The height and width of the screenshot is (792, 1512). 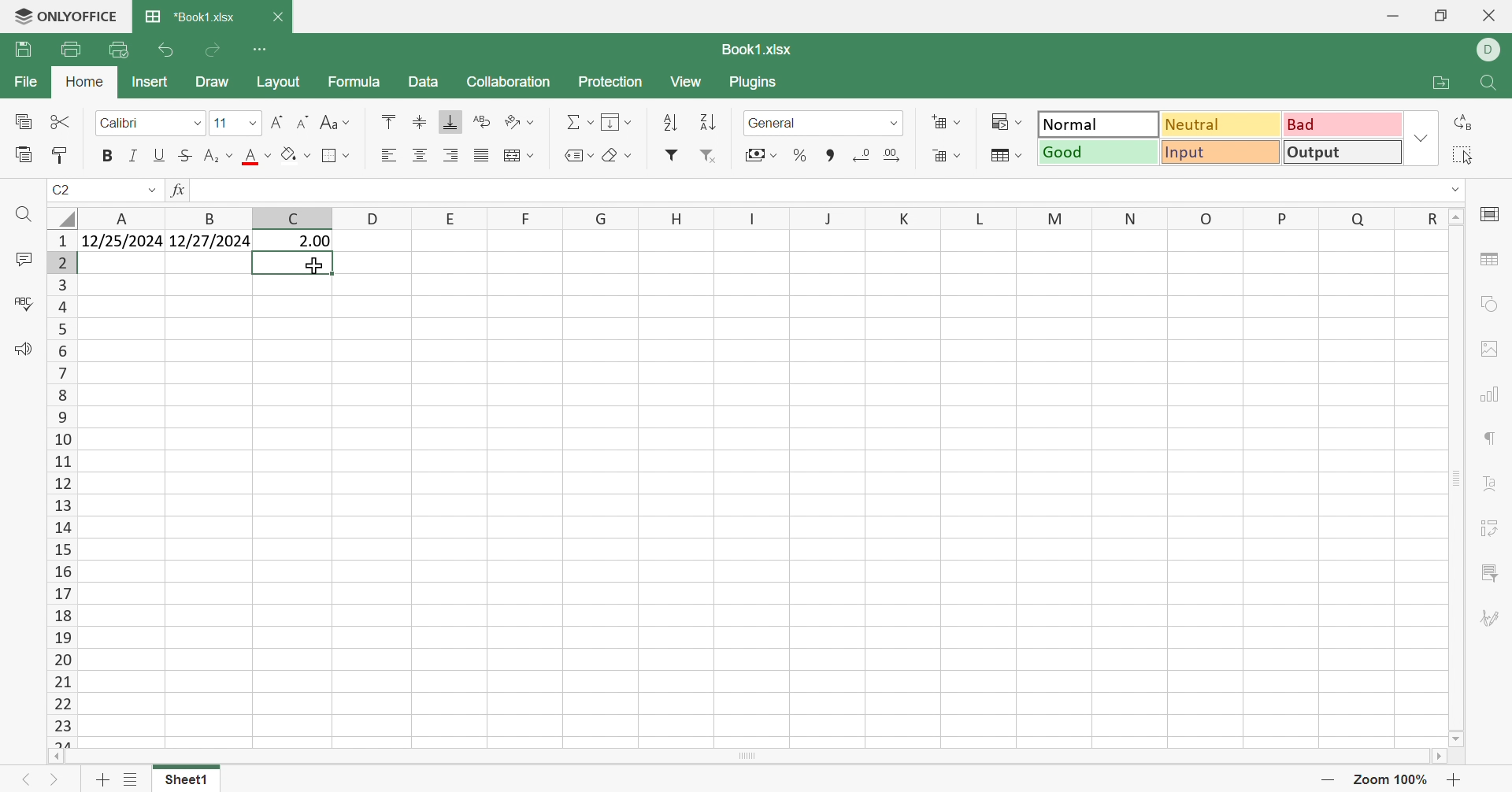 I want to click on Check Spelling, so click(x=23, y=305).